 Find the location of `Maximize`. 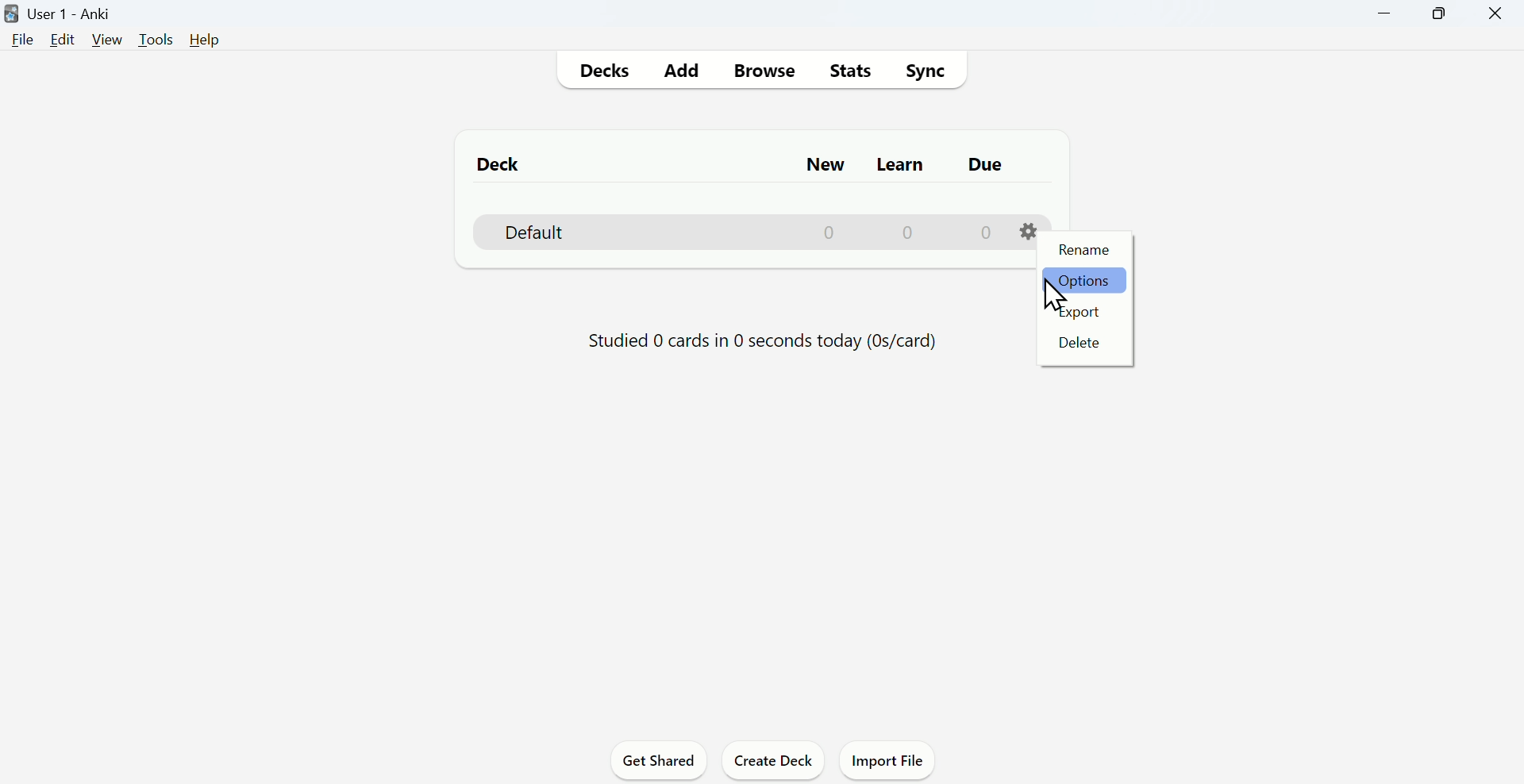

Maximize is located at coordinates (1439, 18).